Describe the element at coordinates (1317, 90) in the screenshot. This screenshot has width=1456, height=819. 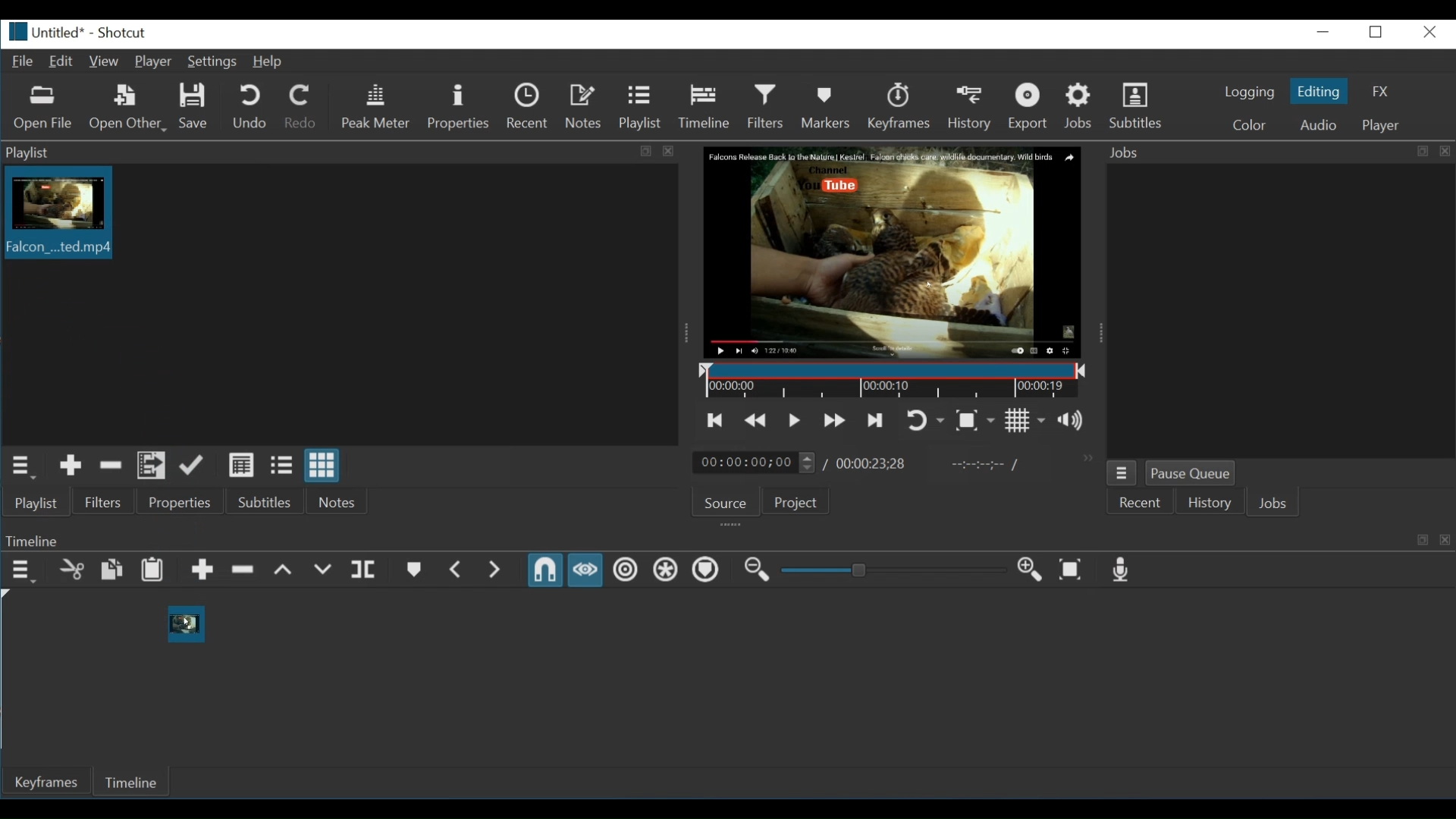
I see `Eiting` at that location.